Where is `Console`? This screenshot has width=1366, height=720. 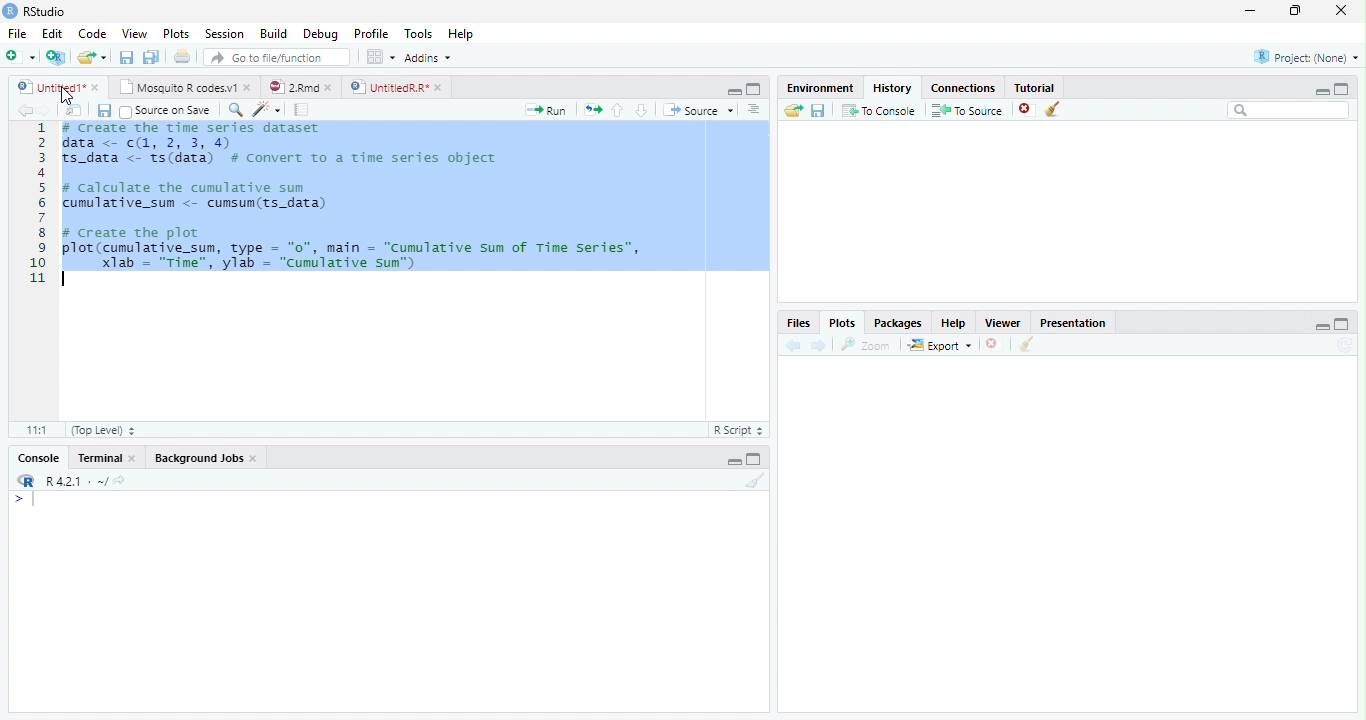
Console is located at coordinates (38, 456).